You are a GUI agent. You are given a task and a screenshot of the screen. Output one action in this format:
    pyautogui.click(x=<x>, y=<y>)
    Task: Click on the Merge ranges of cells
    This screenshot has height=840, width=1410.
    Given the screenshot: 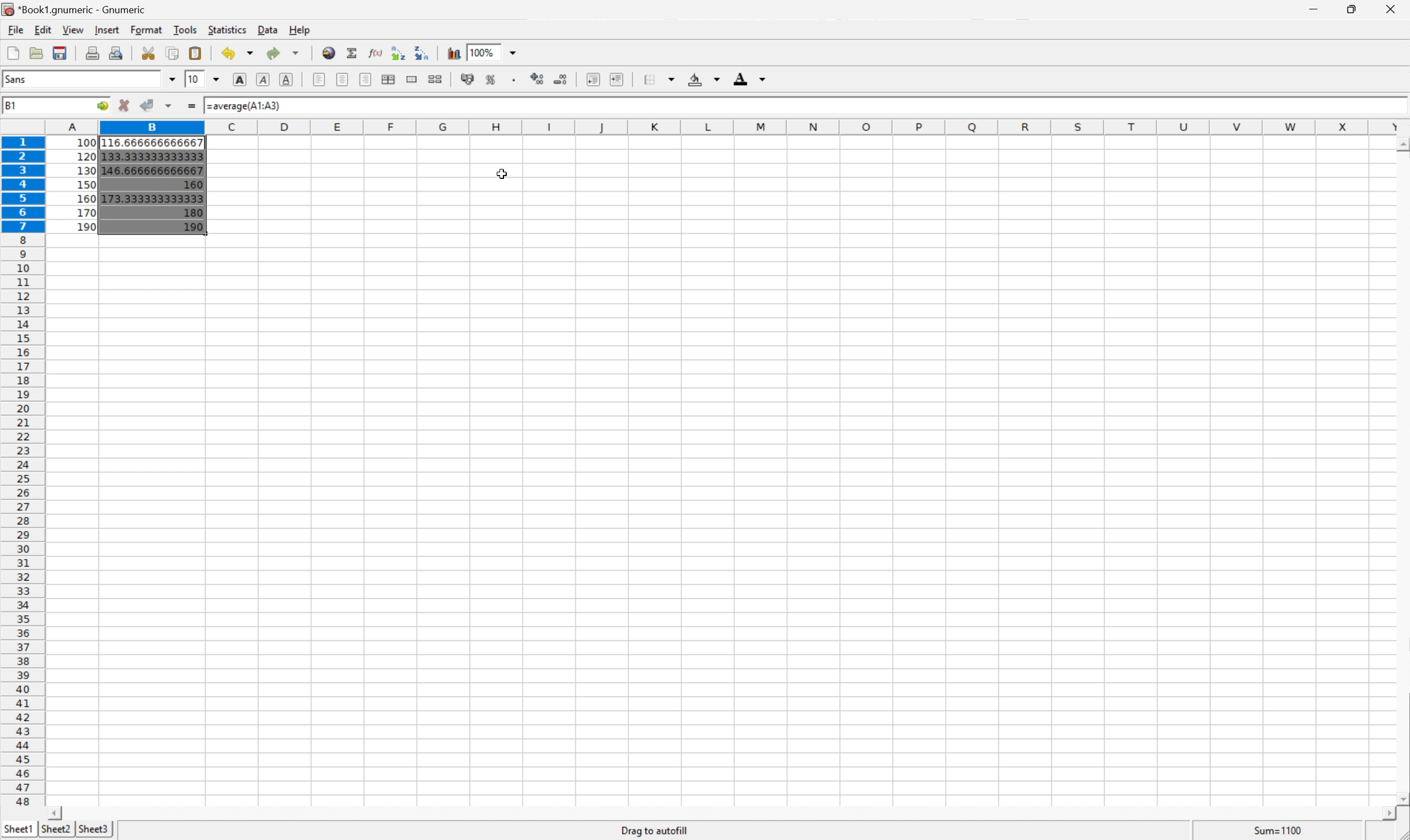 What is the action you would take?
    pyautogui.click(x=413, y=79)
    